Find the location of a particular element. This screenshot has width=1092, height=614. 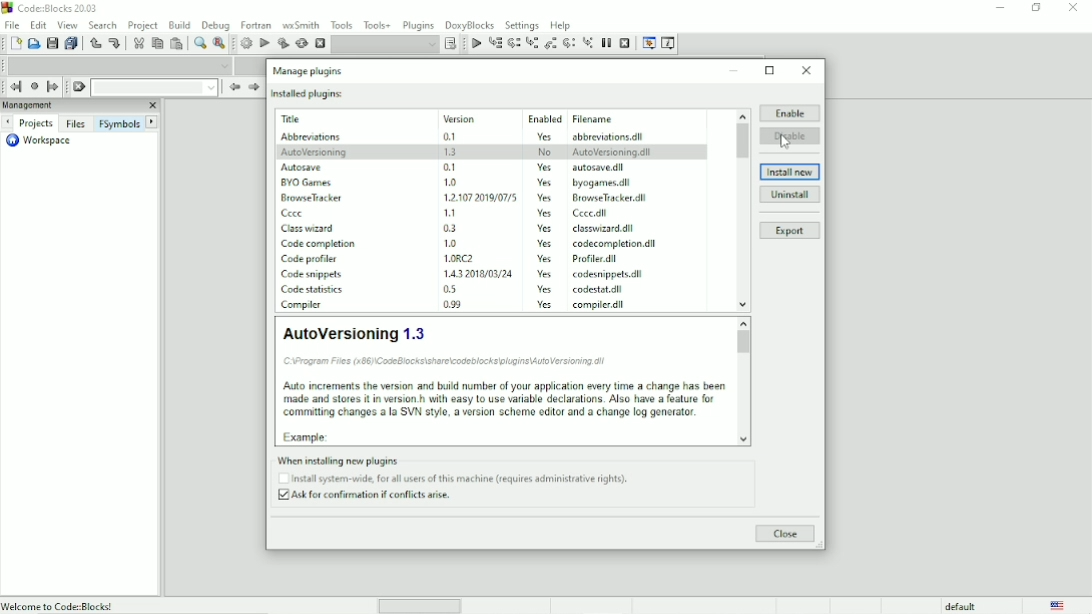

Close is located at coordinates (151, 106).